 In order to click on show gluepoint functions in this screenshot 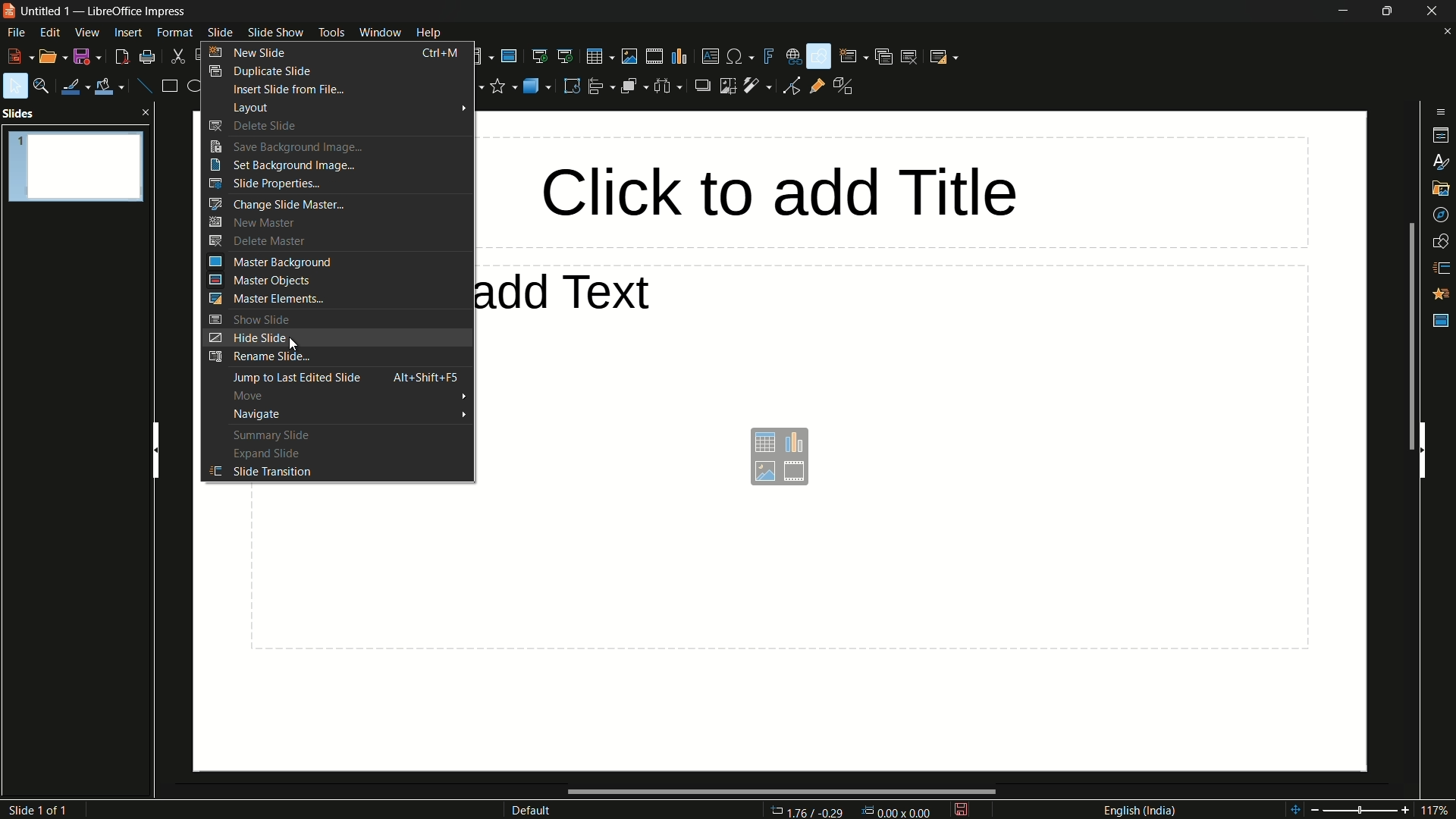, I will do `click(816, 87)`.